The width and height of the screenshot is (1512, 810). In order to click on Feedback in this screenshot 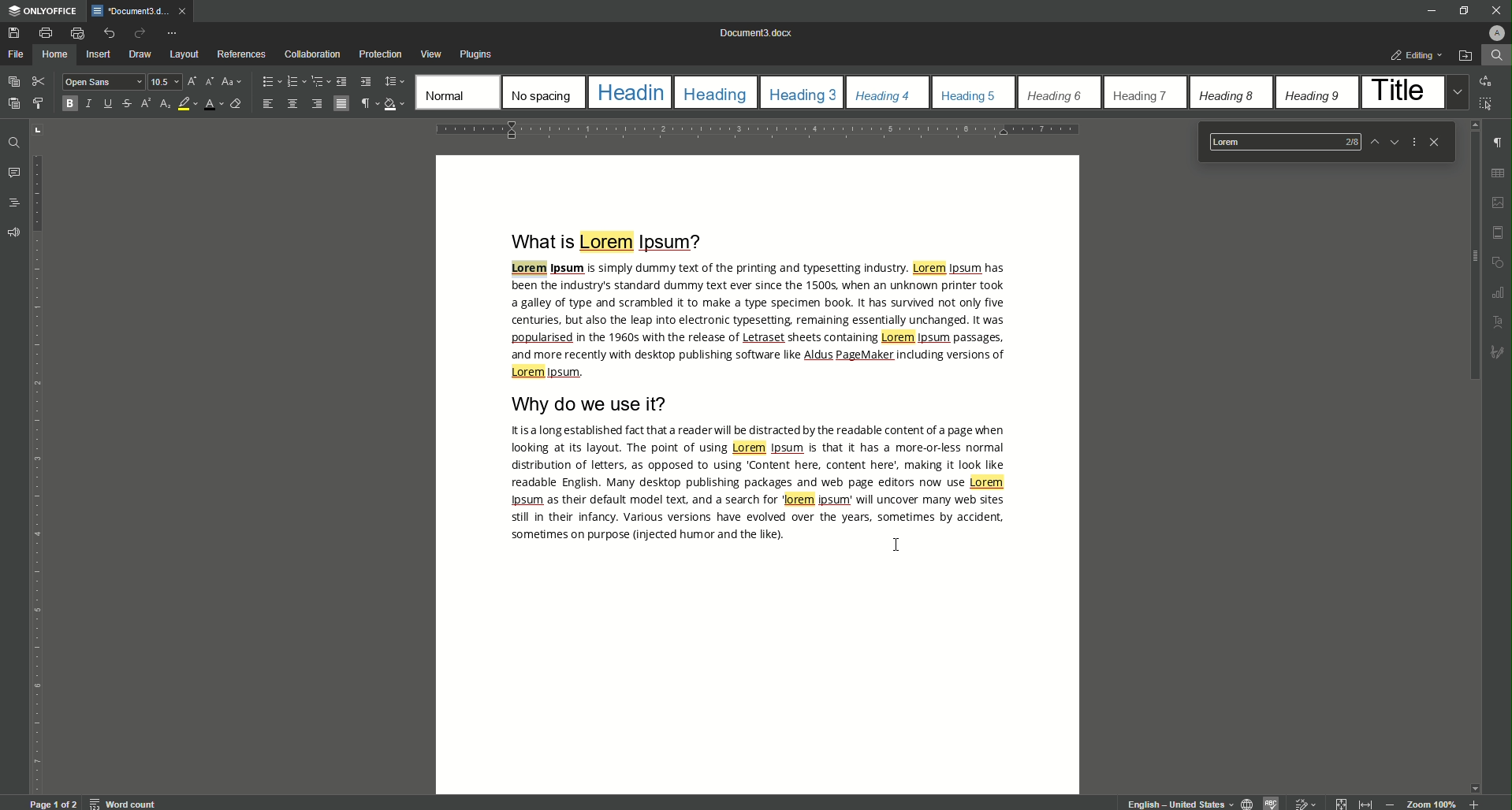, I will do `click(17, 231)`.